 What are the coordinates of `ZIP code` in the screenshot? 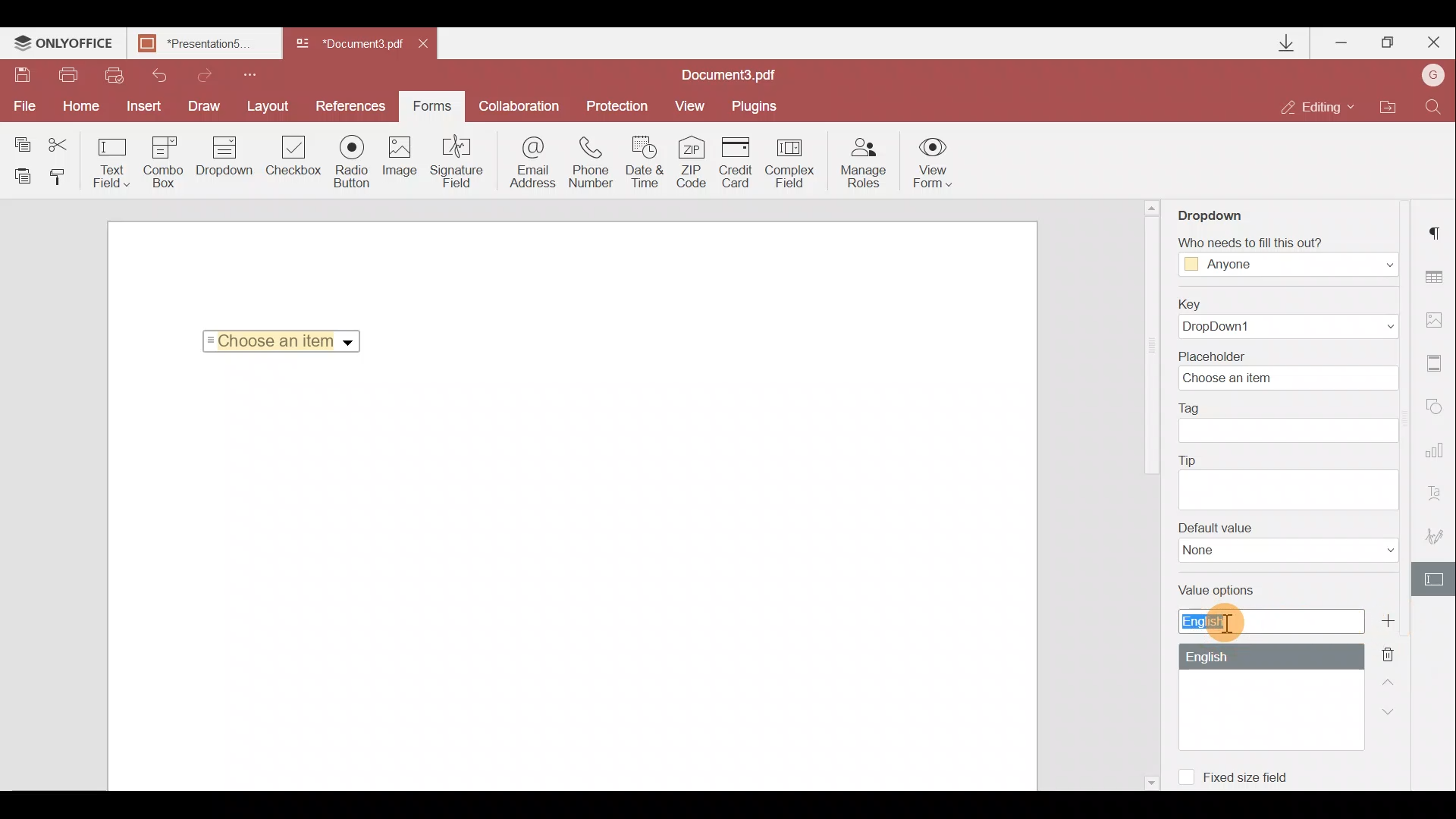 It's located at (696, 165).